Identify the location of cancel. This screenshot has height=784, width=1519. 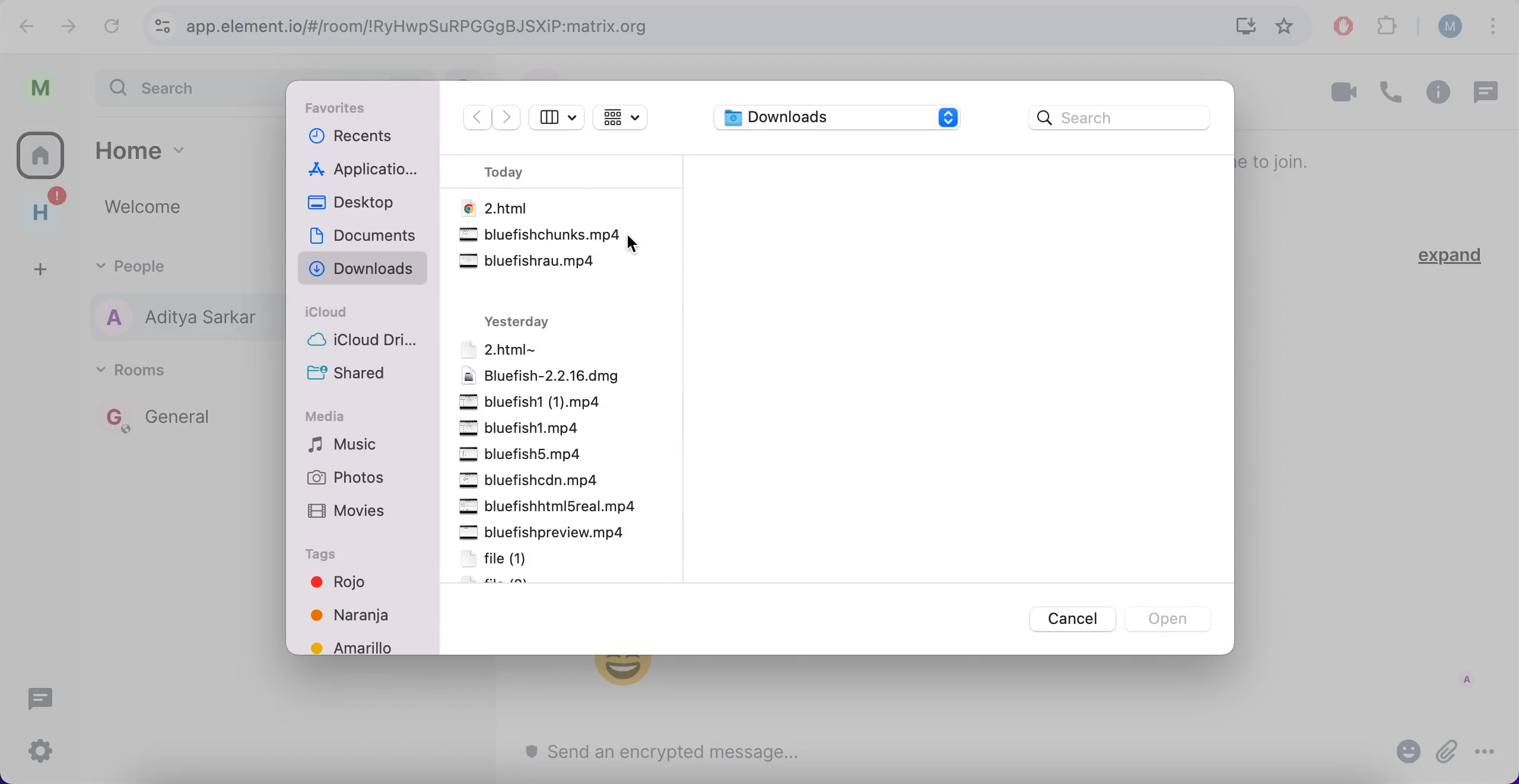
(1073, 619).